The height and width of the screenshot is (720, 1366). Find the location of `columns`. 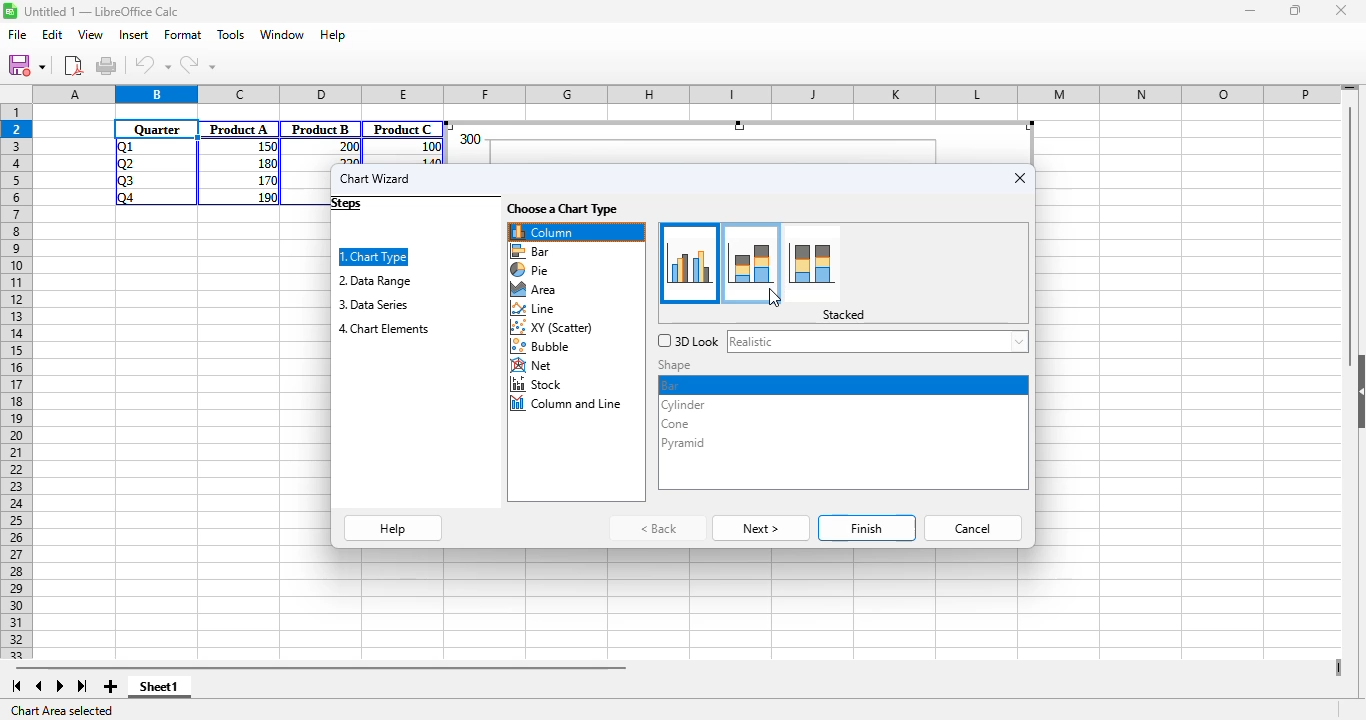

columns is located at coordinates (688, 95).